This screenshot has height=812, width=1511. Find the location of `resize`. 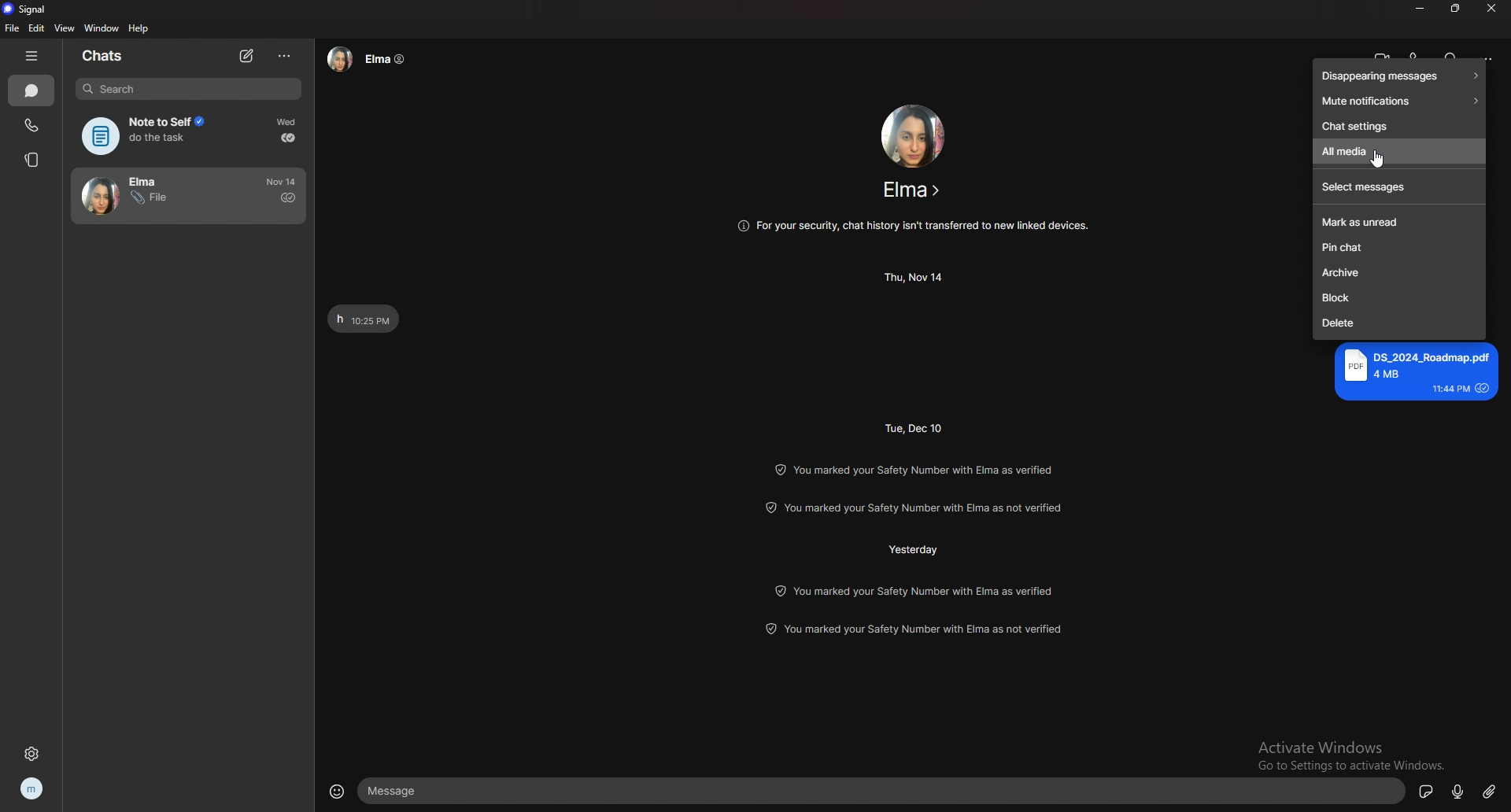

resize is located at coordinates (1457, 9).